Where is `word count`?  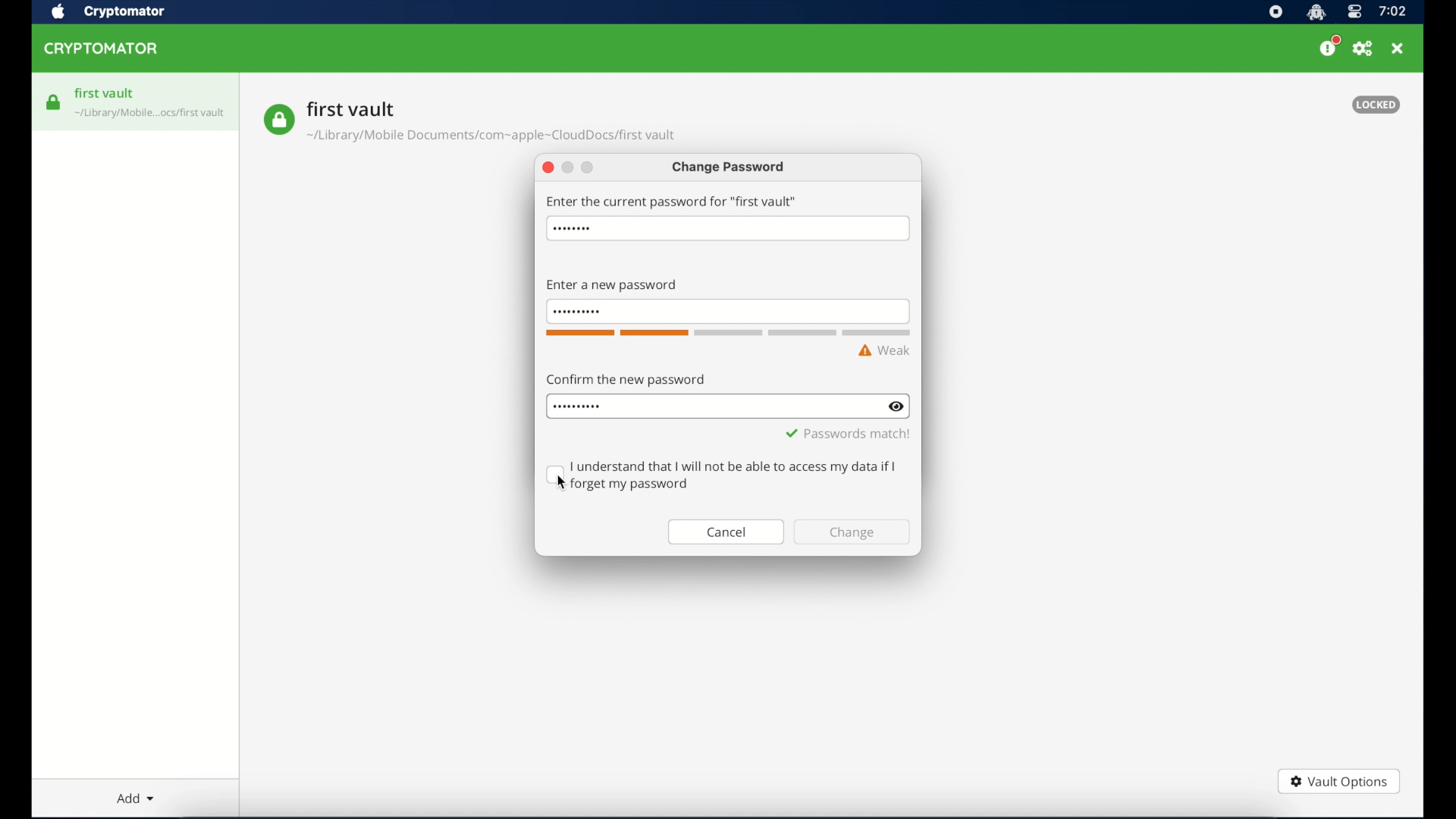 word count is located at coordinates (727, 334).